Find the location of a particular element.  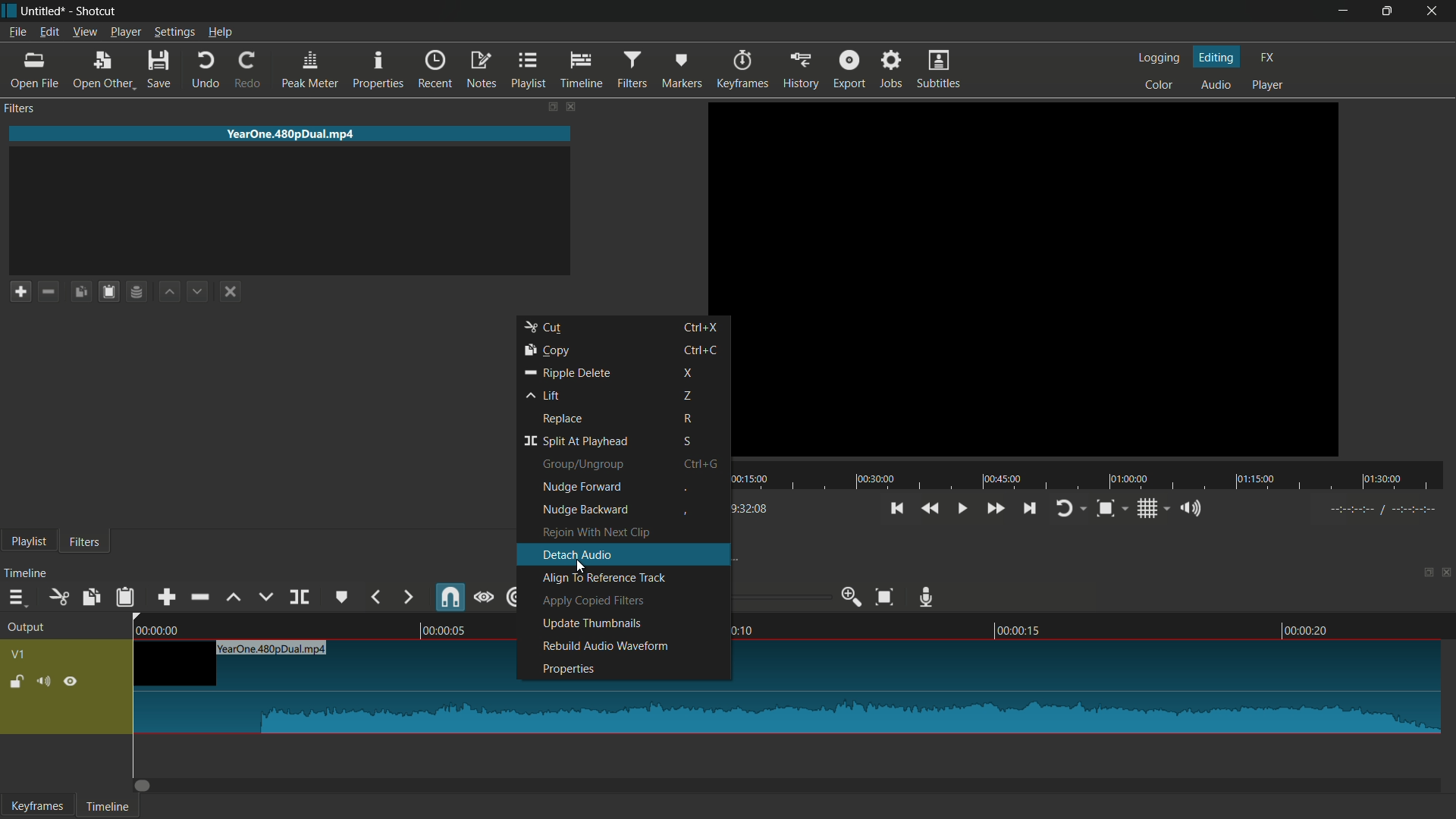

playlist is located at coordinates (29, 542).